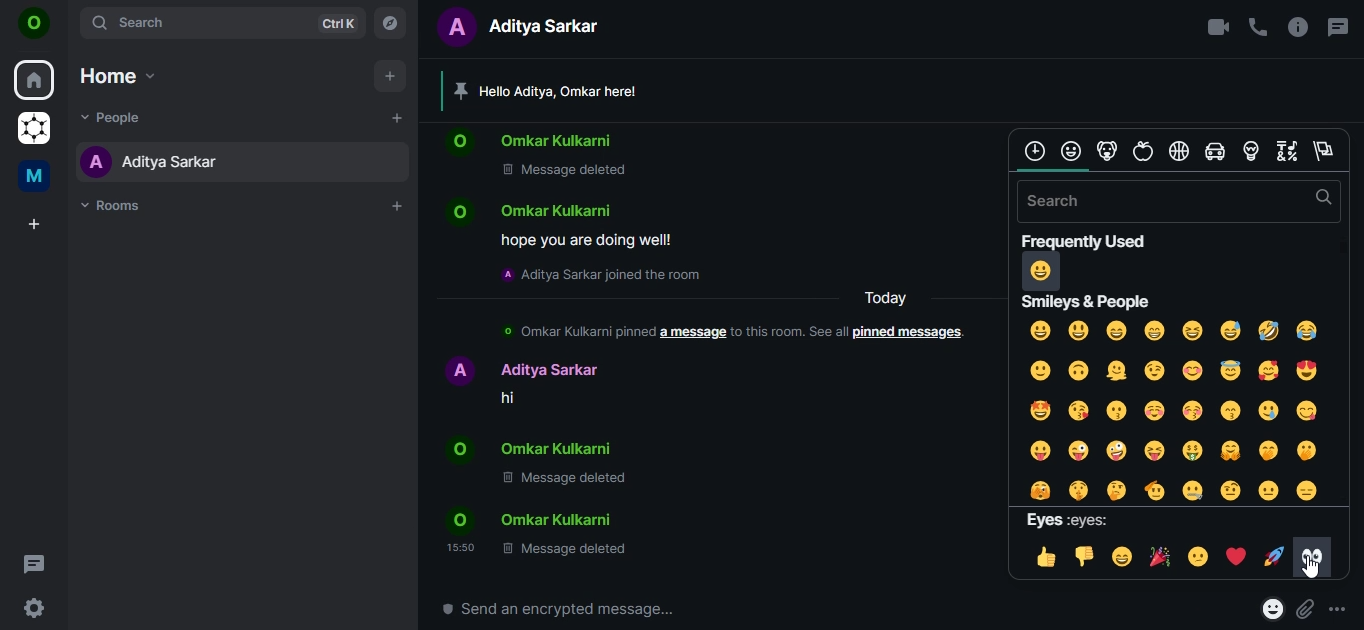  Describe the element at coordinates (1235, 556) in the screenshot. I see `heartss` at that location.